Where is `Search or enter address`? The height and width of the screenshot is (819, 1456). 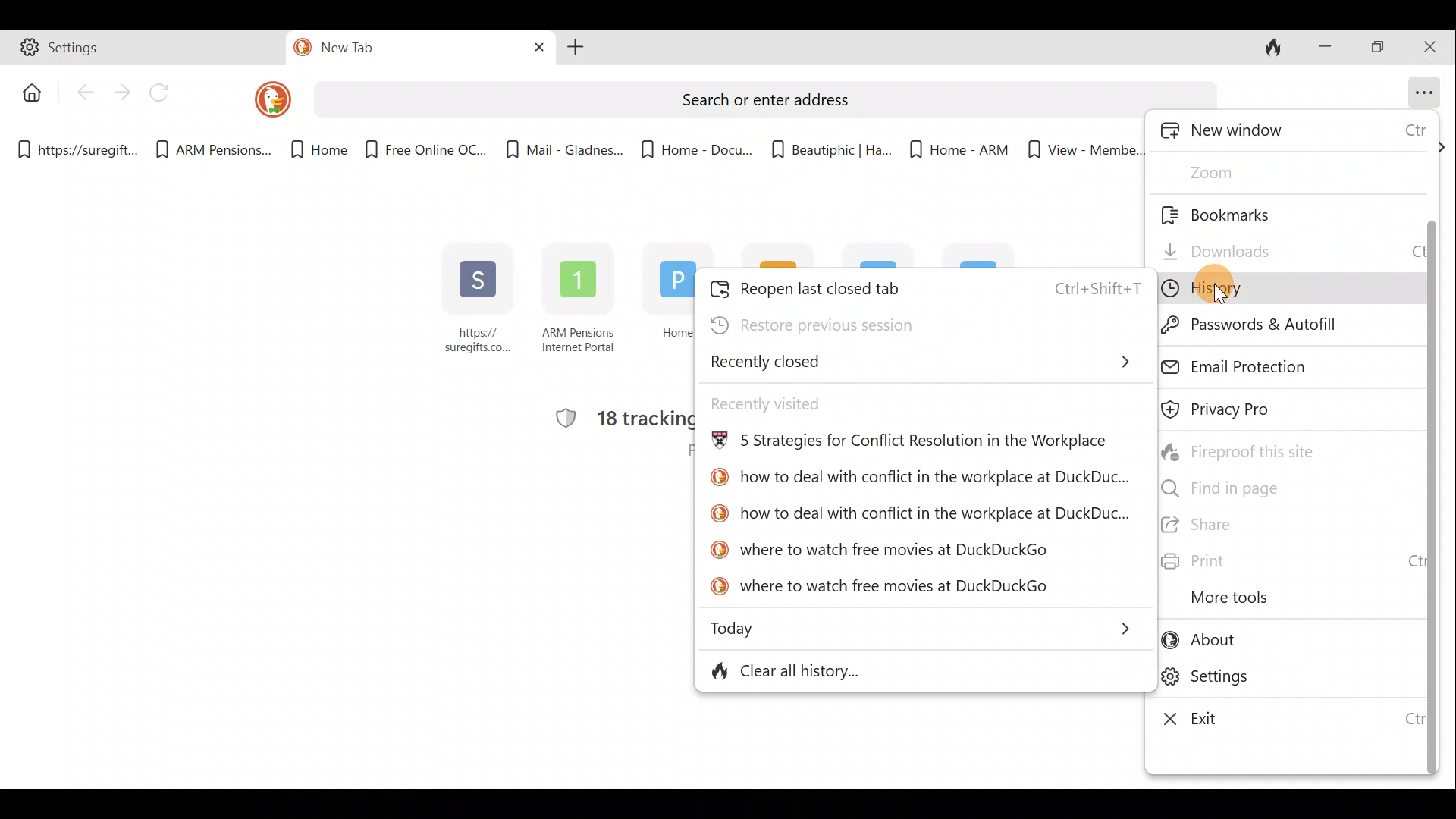 Search or enter address is located at coordinates (755, 94).